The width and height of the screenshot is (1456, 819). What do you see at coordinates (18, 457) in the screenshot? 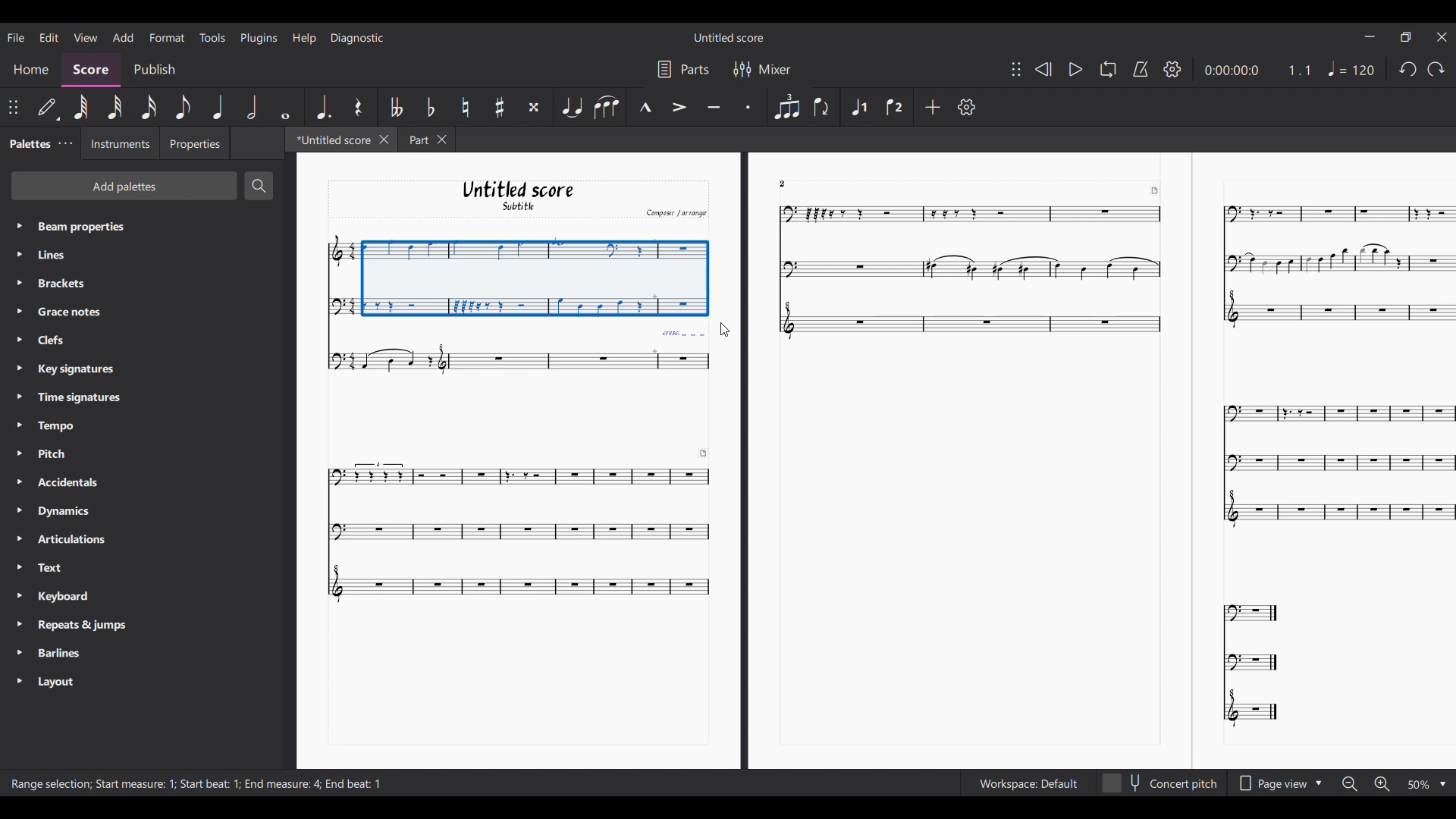
I see `` at bounding box center [18, 457].